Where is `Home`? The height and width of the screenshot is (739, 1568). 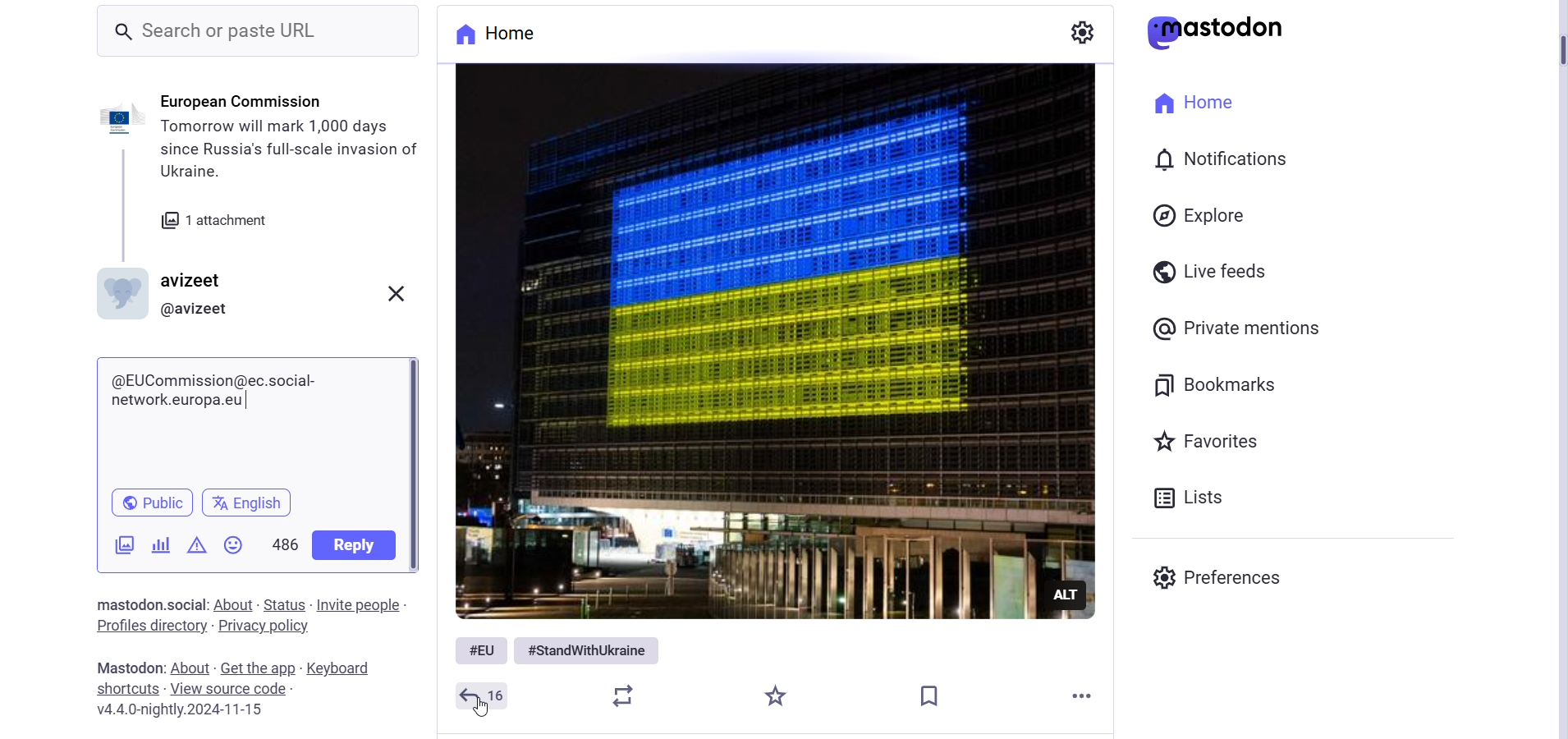 Home is located at coordinates (1199, 104).